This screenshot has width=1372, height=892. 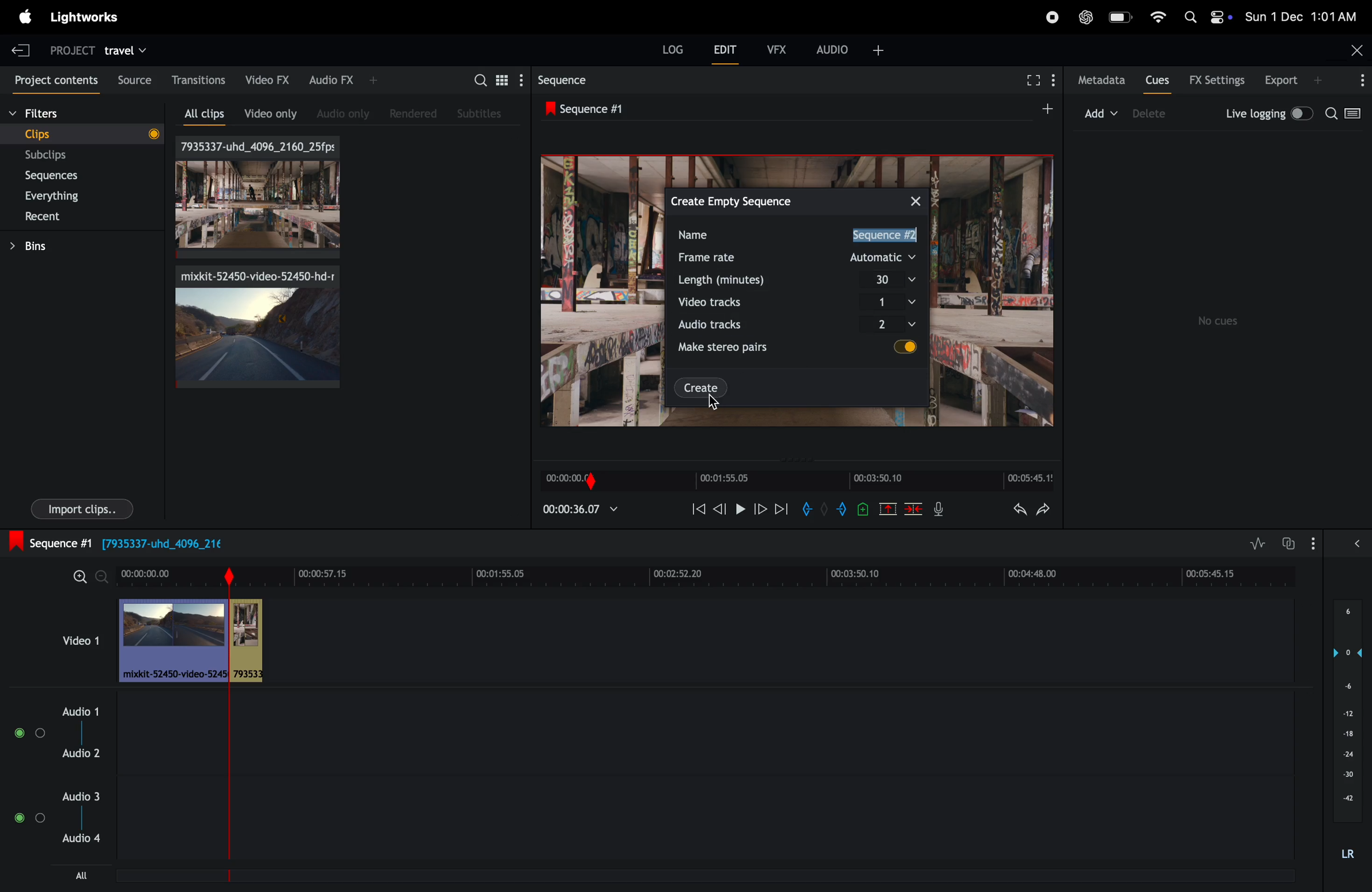 I want to click on undo, so click(x=1020, y=509).